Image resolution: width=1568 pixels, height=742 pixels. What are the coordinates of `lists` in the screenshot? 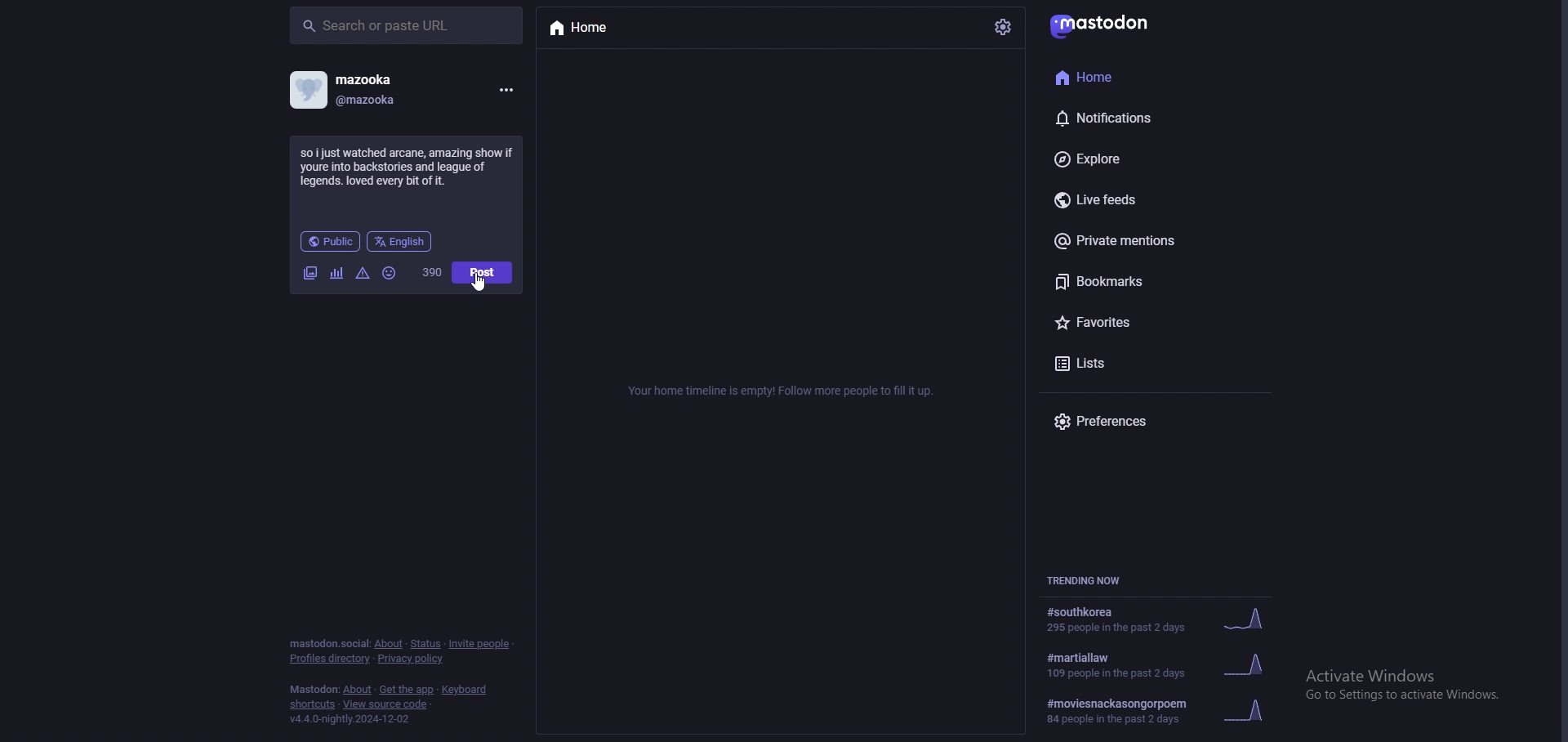 It's located at (1133, 364).